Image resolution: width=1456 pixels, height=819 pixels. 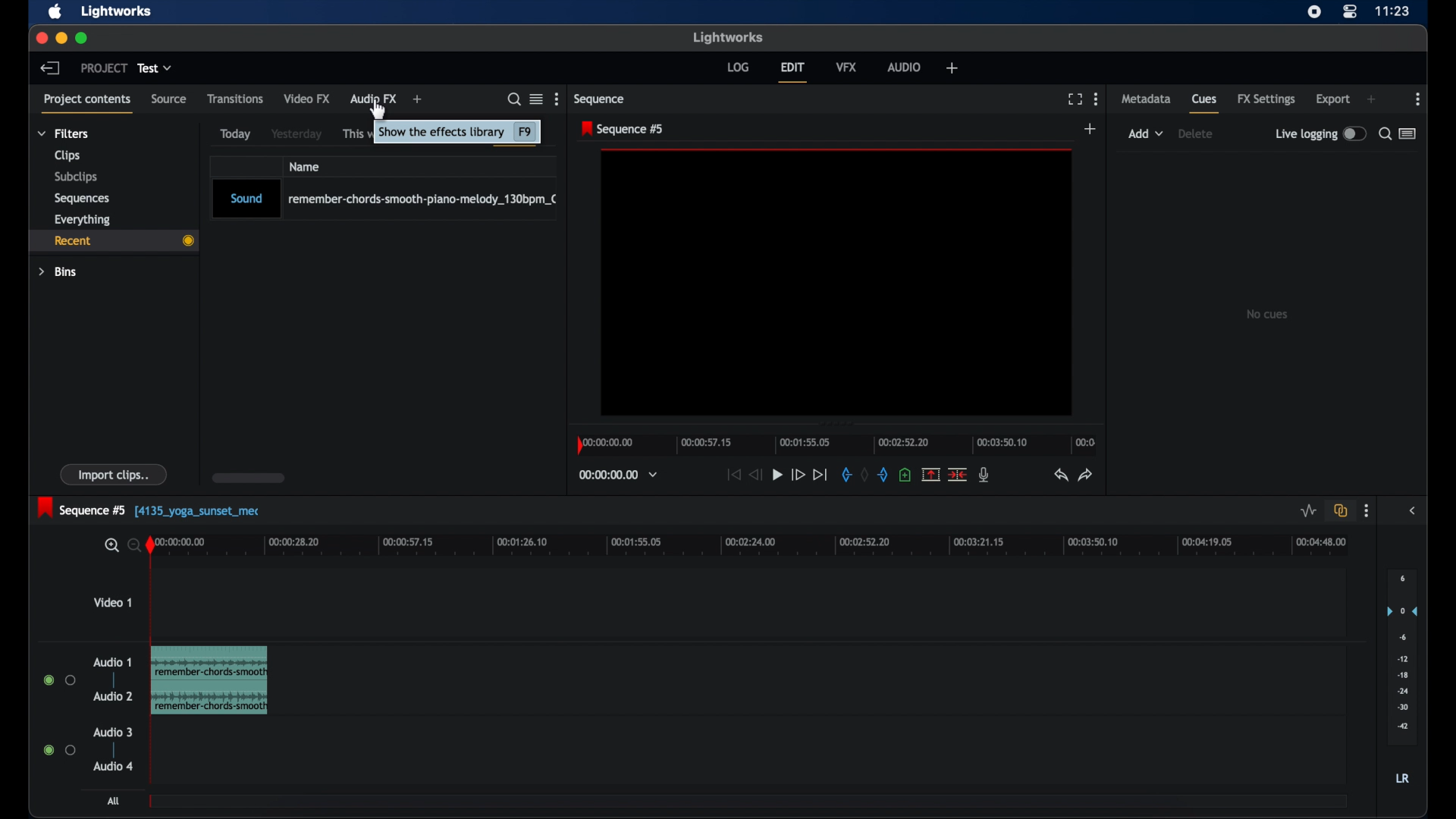 I want to click on audio output levels, so click(x=1402, y=657).